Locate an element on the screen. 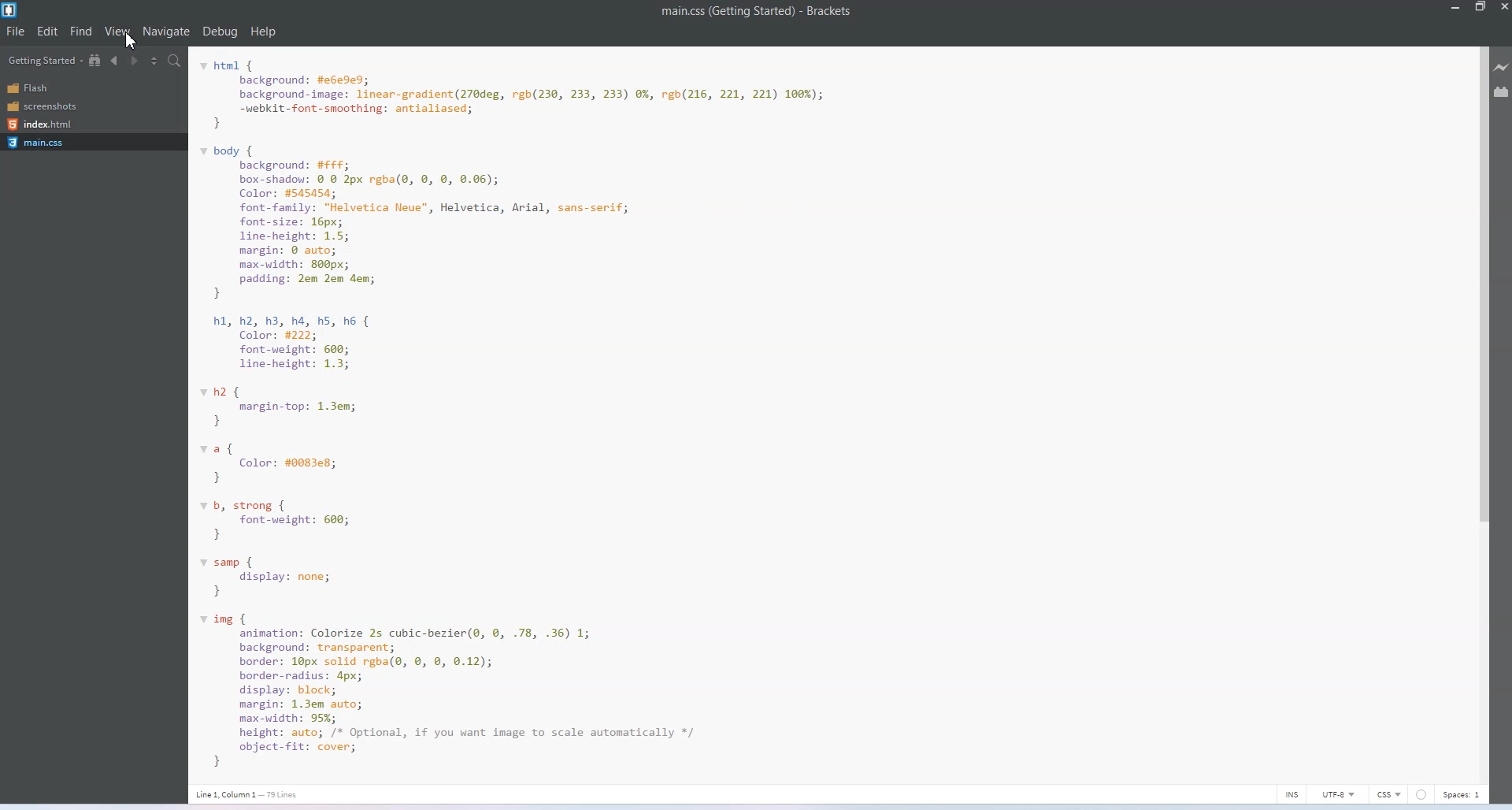 This screenshot has height=810, width=1512. css code of getting started page is located at coordinates (568, 411).